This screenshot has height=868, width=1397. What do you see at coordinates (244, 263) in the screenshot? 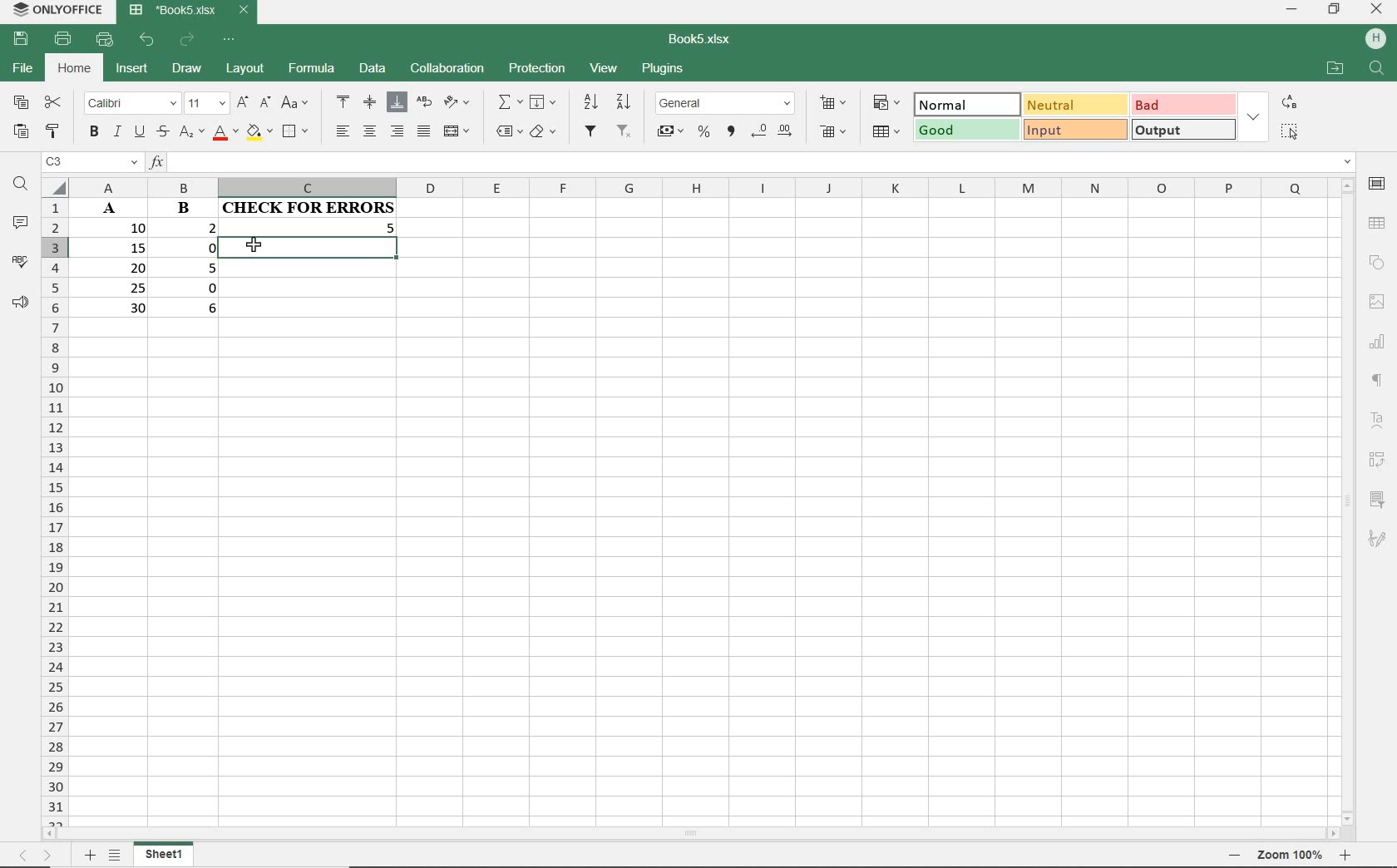
I see `DATA` at bounding box center [244, 263].